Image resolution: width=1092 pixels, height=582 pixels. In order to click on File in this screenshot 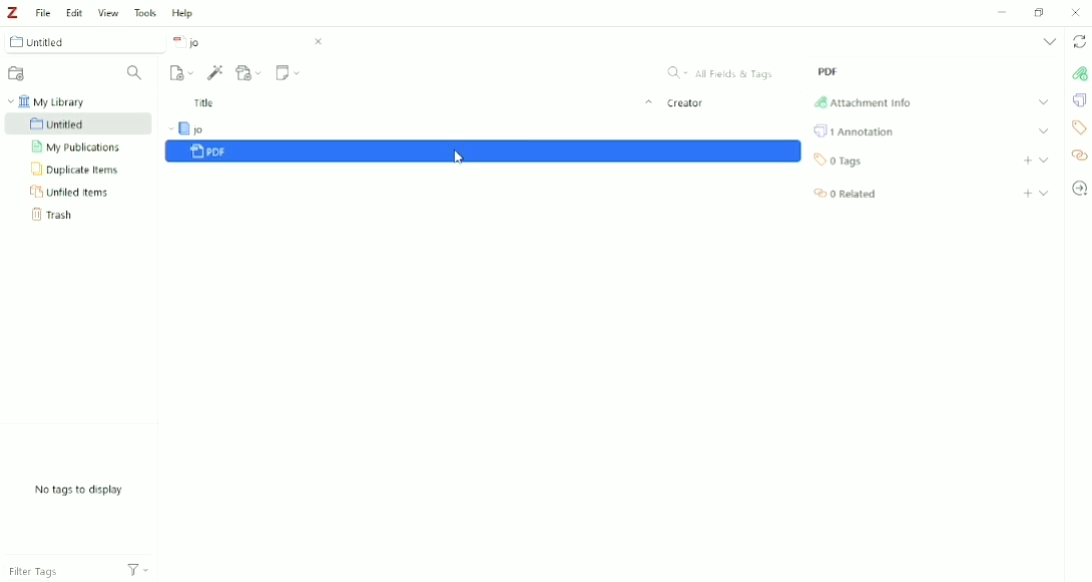, I will do `click(44, 11)`.